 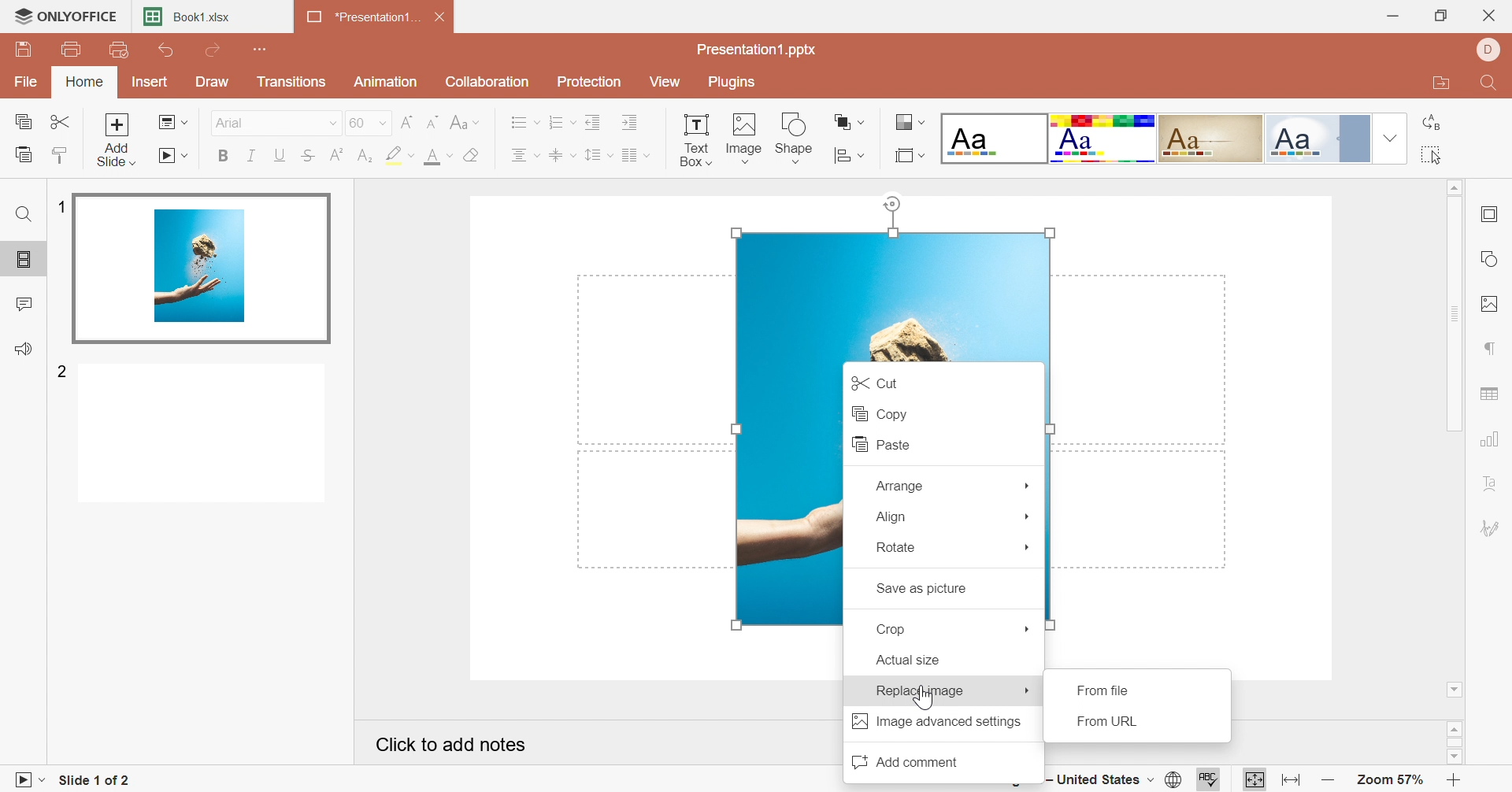 I want to click on Click to add notes, so click(x=452, y=742).